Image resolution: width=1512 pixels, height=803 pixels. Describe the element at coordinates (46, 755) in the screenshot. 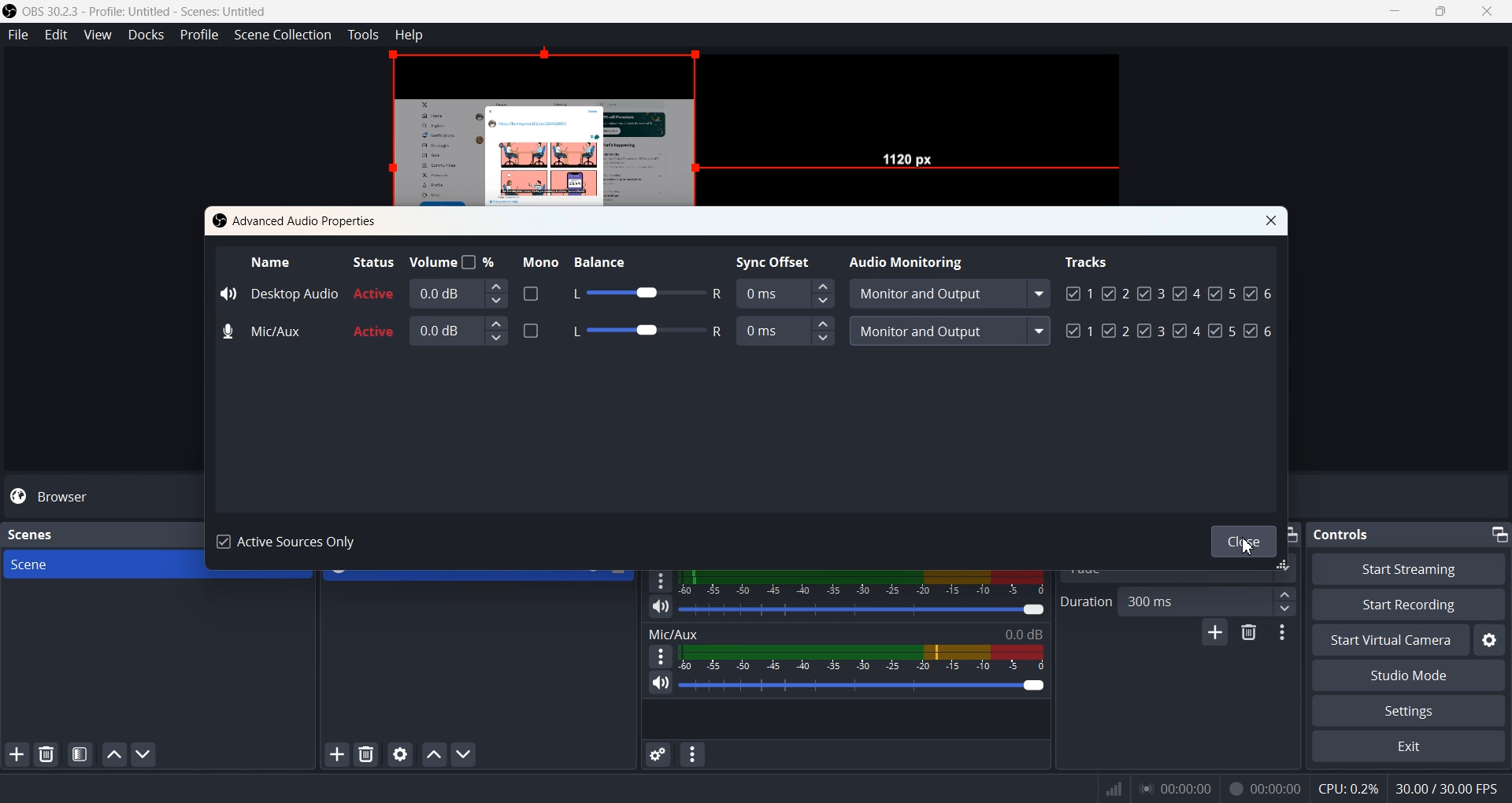

I see `Delete Selected Scene` at that location.